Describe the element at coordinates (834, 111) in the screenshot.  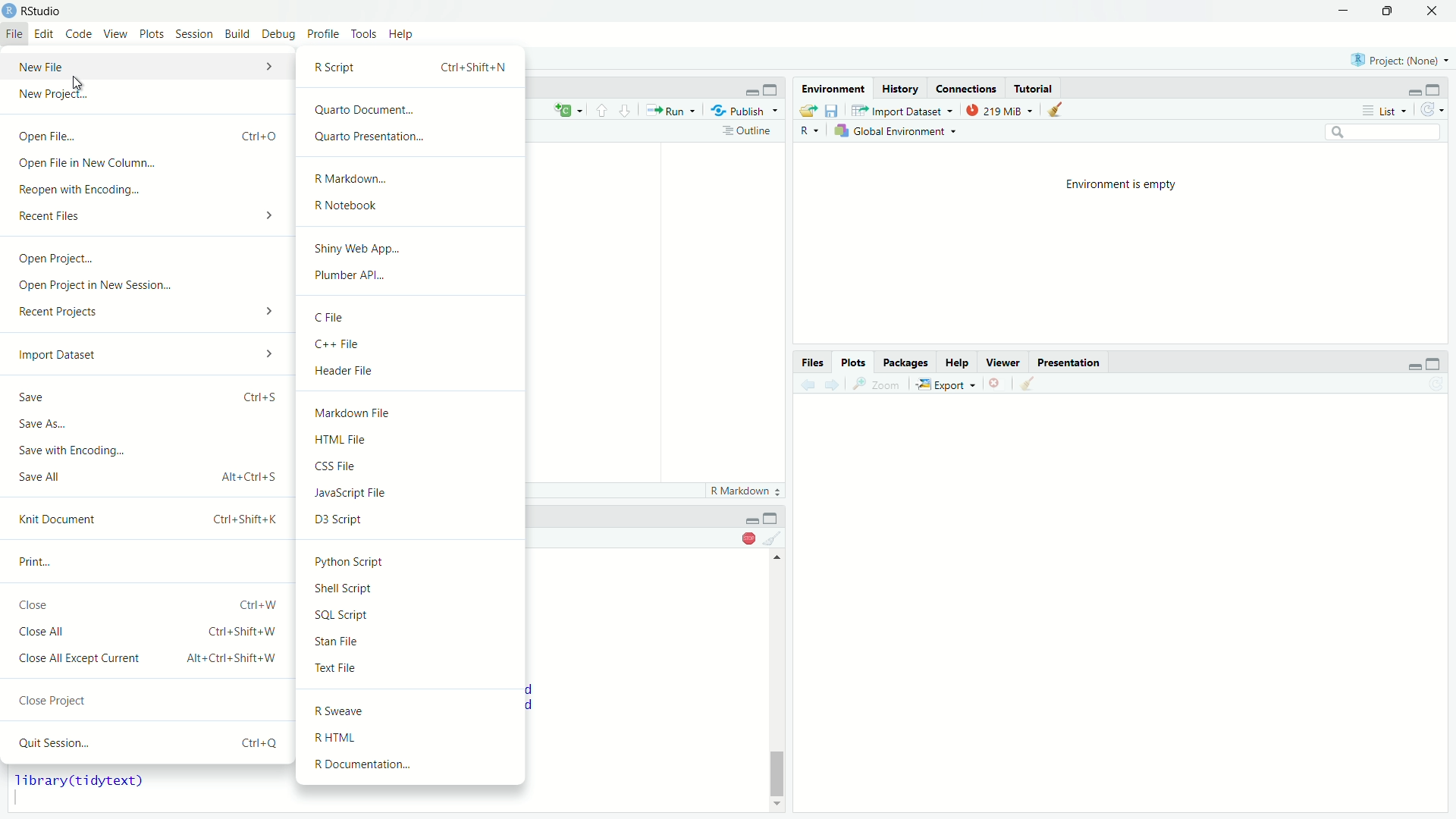
I see `save workspace as` at that location.